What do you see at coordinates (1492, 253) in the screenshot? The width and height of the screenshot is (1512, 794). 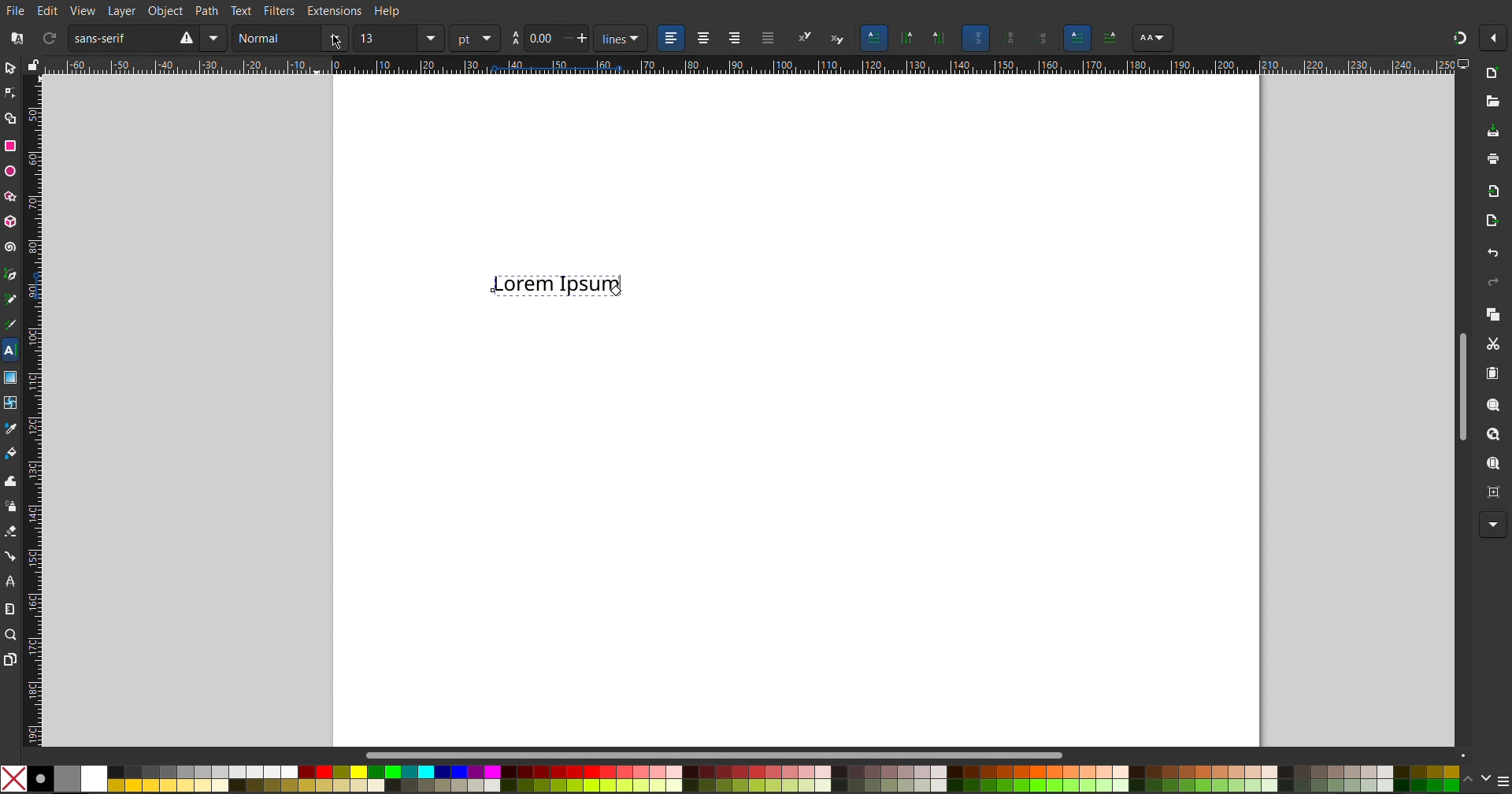 I see `Undo` at bounding box center [1492, 253].